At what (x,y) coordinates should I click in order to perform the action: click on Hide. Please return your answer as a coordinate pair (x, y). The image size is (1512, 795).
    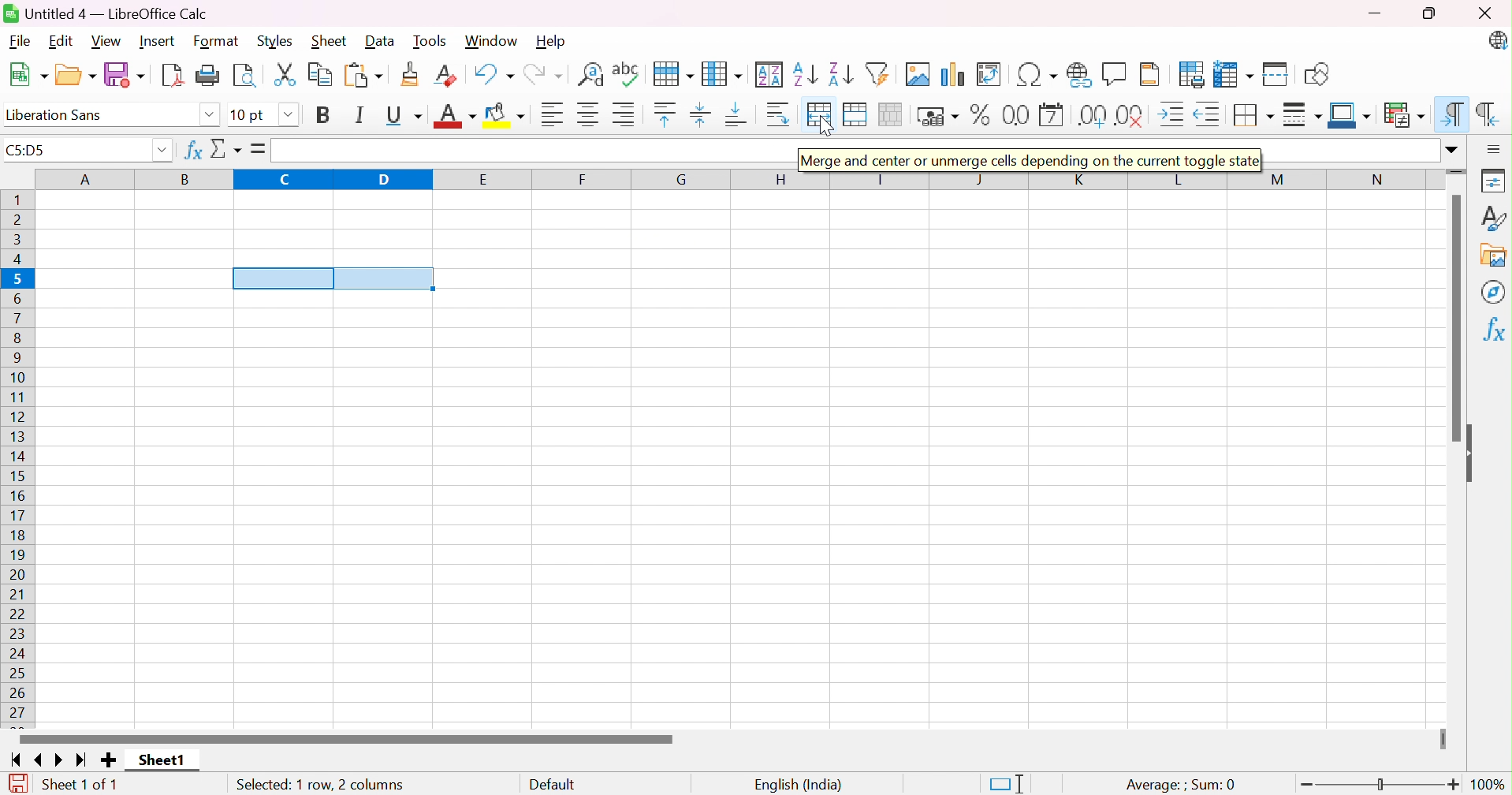
    Looking at the image, I should click on (1474, 453).